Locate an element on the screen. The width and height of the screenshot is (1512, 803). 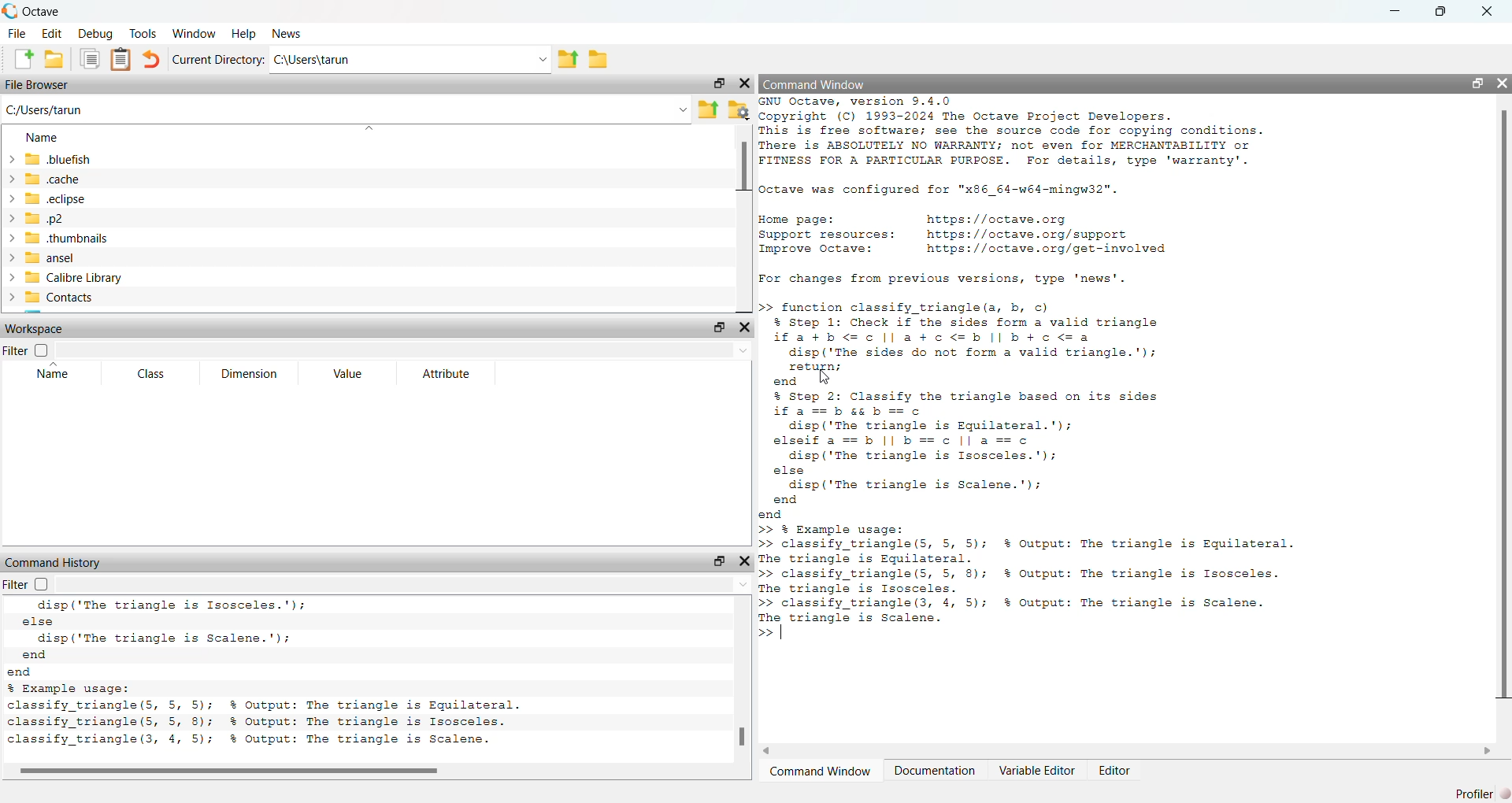
variable editor is located at coordinates (1034, 771).